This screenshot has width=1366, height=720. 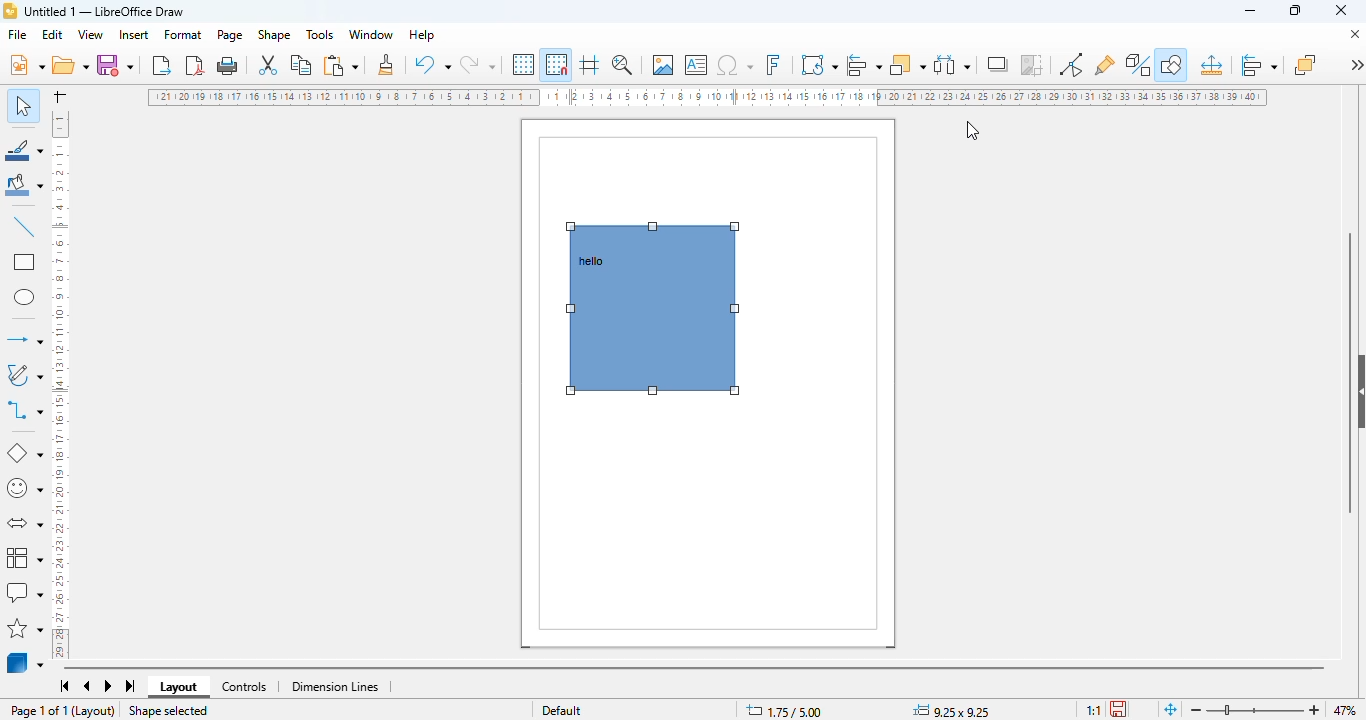 What do you see at coordinates (1118, 708) in the screenshot?
I see `click to save the document` at bounding box center [1118, 708].